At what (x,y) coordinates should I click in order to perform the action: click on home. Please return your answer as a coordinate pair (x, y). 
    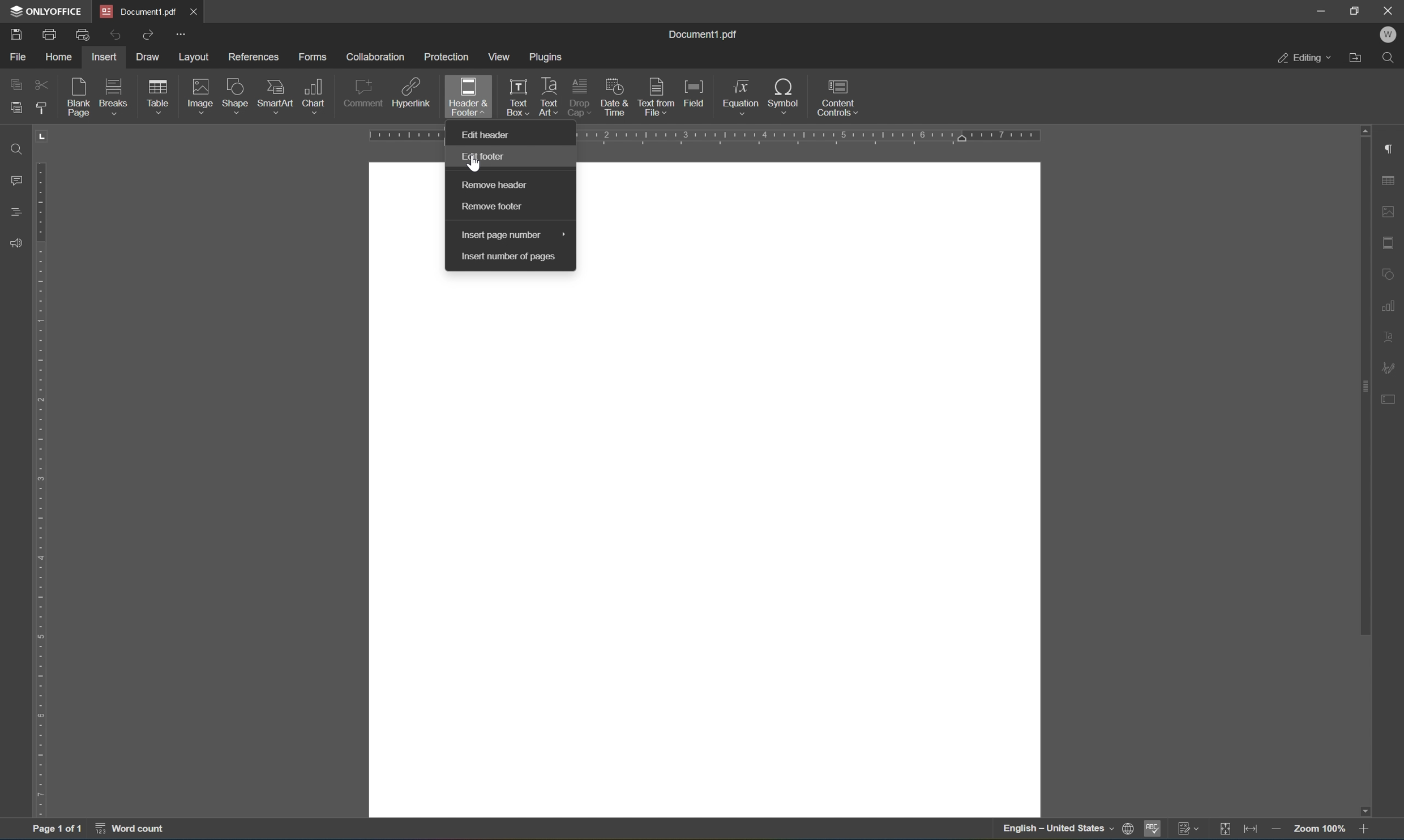
    Looking at the image, I should click on (56, 58).